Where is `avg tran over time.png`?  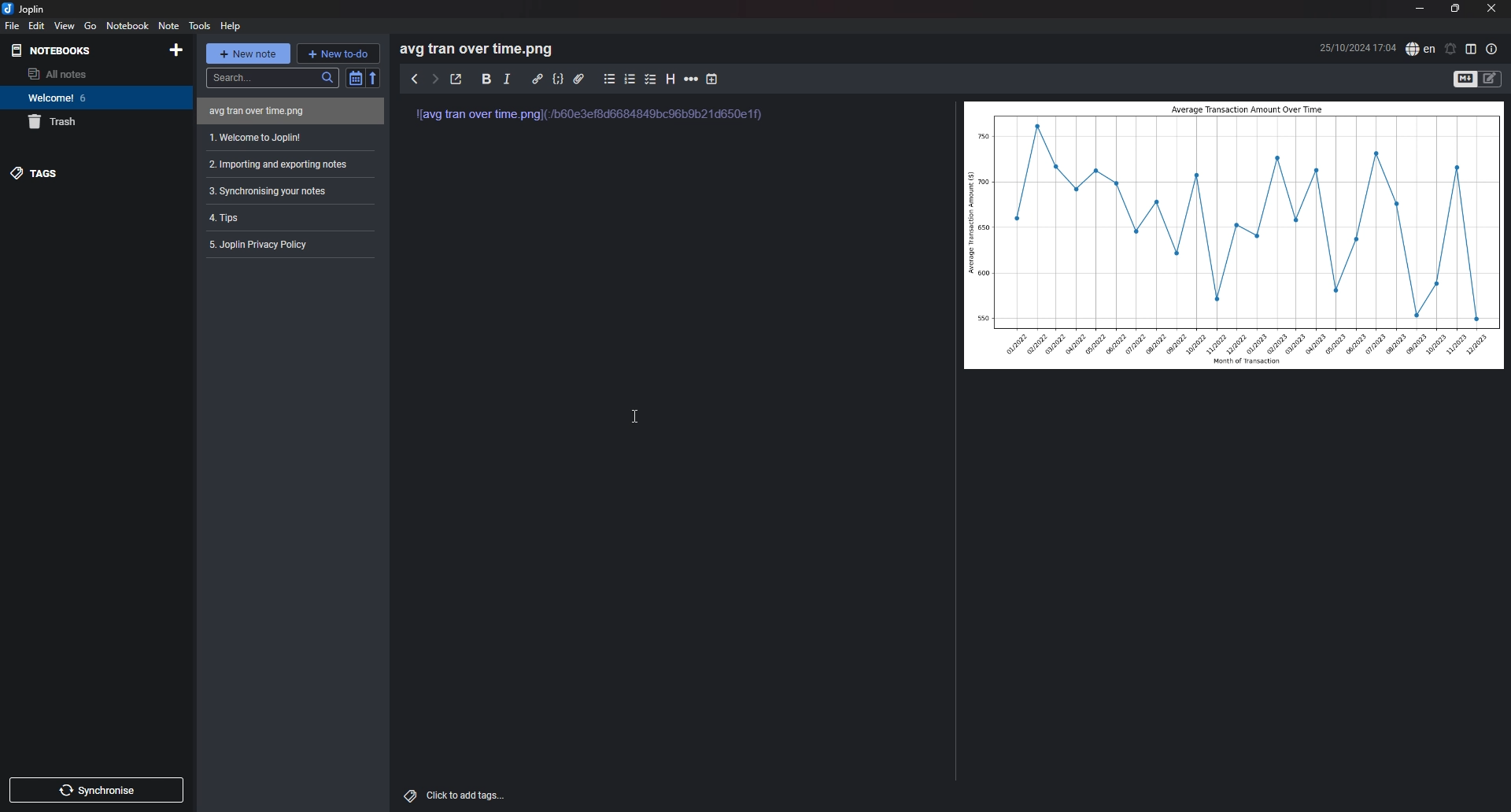
avg tran over time.png is located at coordinates (211, 112).